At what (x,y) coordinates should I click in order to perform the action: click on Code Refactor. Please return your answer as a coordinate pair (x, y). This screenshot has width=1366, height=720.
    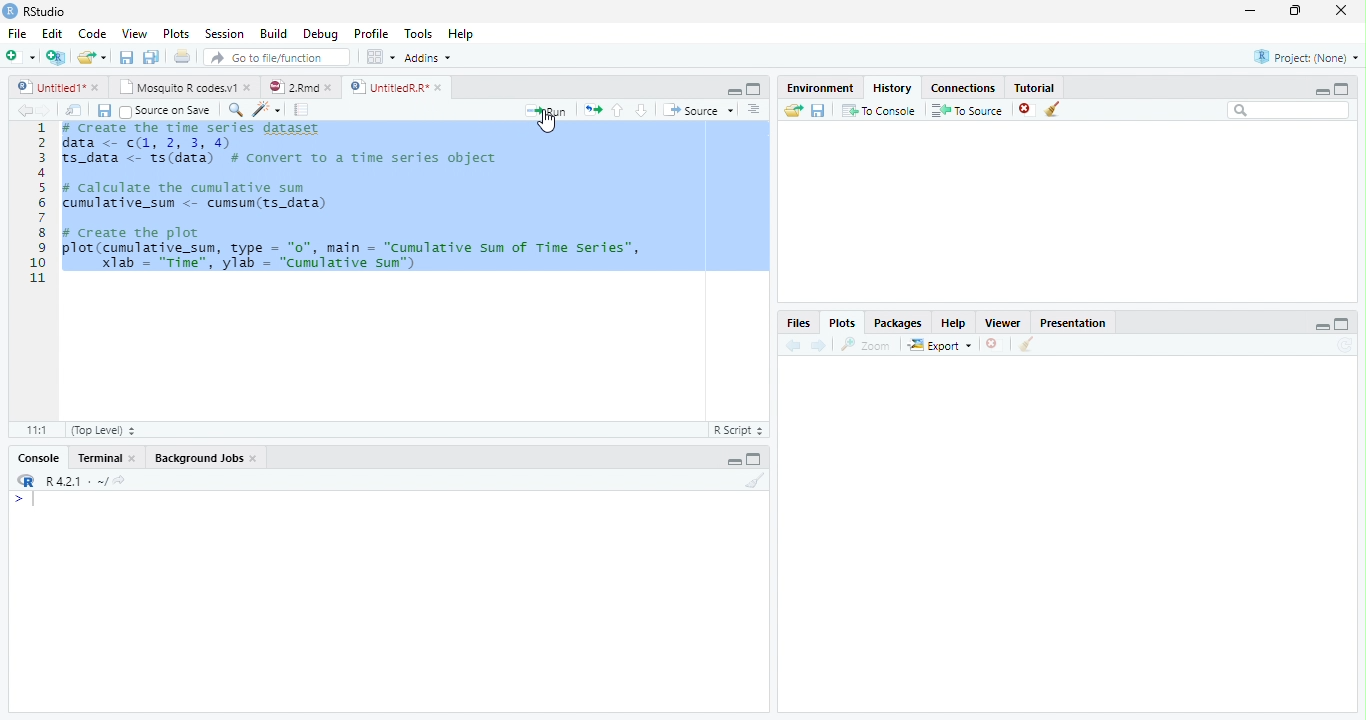
    Looking at the image, I should click on (269, 109).